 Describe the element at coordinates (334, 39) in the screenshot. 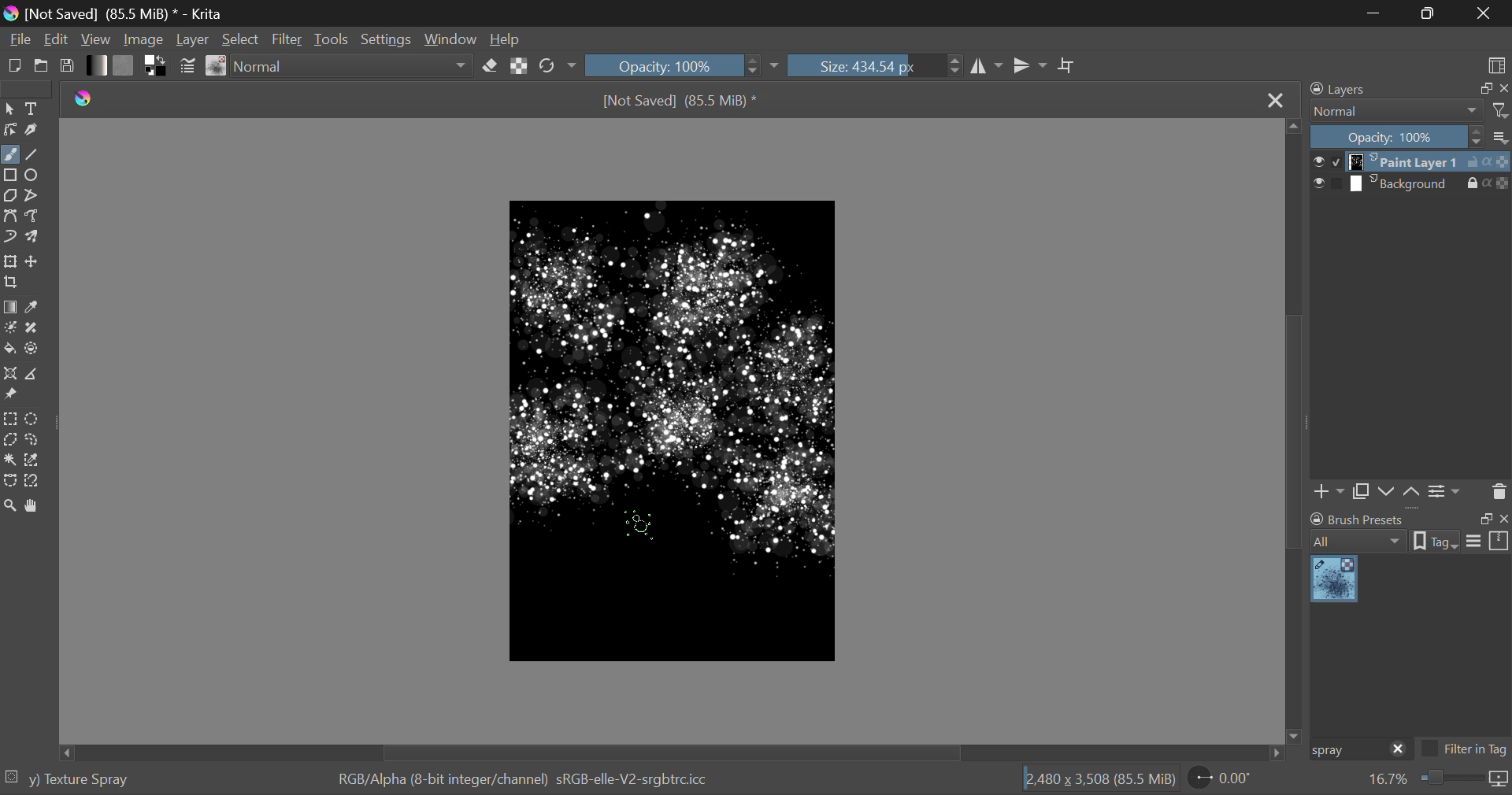

I see `Tools` at that location.